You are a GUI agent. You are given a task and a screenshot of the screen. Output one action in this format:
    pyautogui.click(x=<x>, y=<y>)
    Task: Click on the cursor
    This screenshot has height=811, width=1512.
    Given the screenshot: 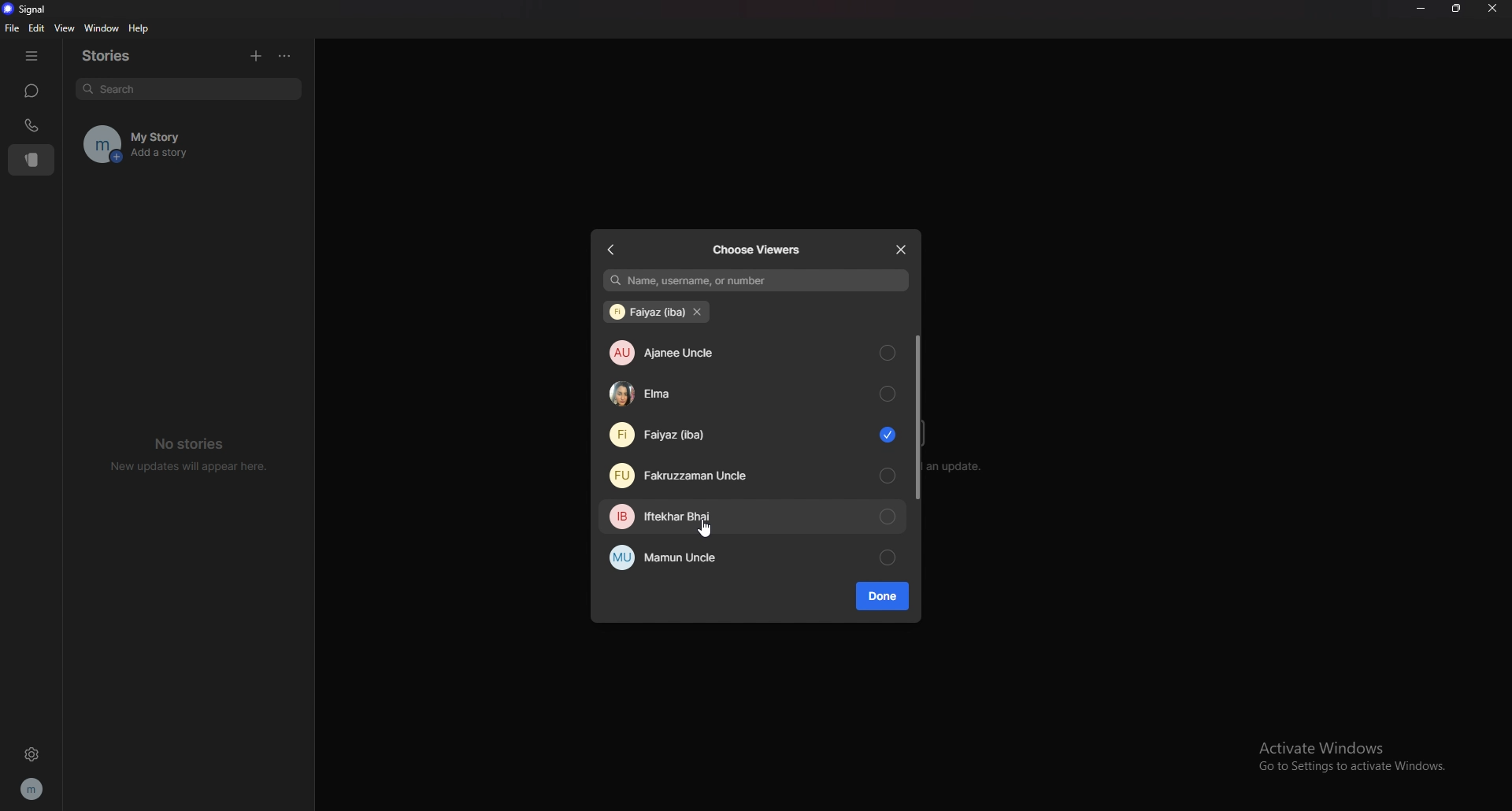 What is the action you would take?
    pyautogui.click(x=709, y=528)
    